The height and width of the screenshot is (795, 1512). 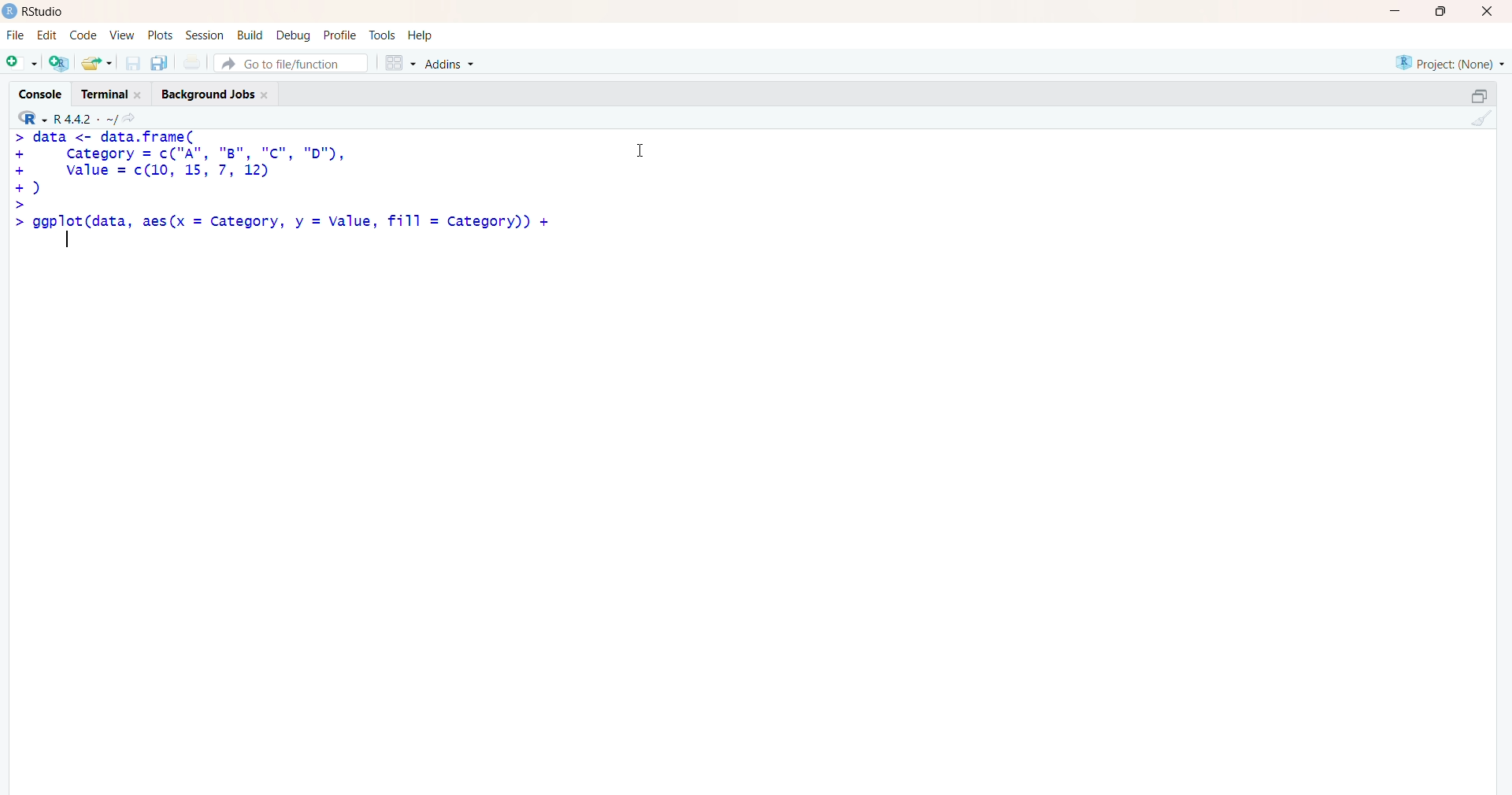 What do you see at coordinates (44, 92) in the screenshot?
I see `Console` at bounding box center [44, 92].